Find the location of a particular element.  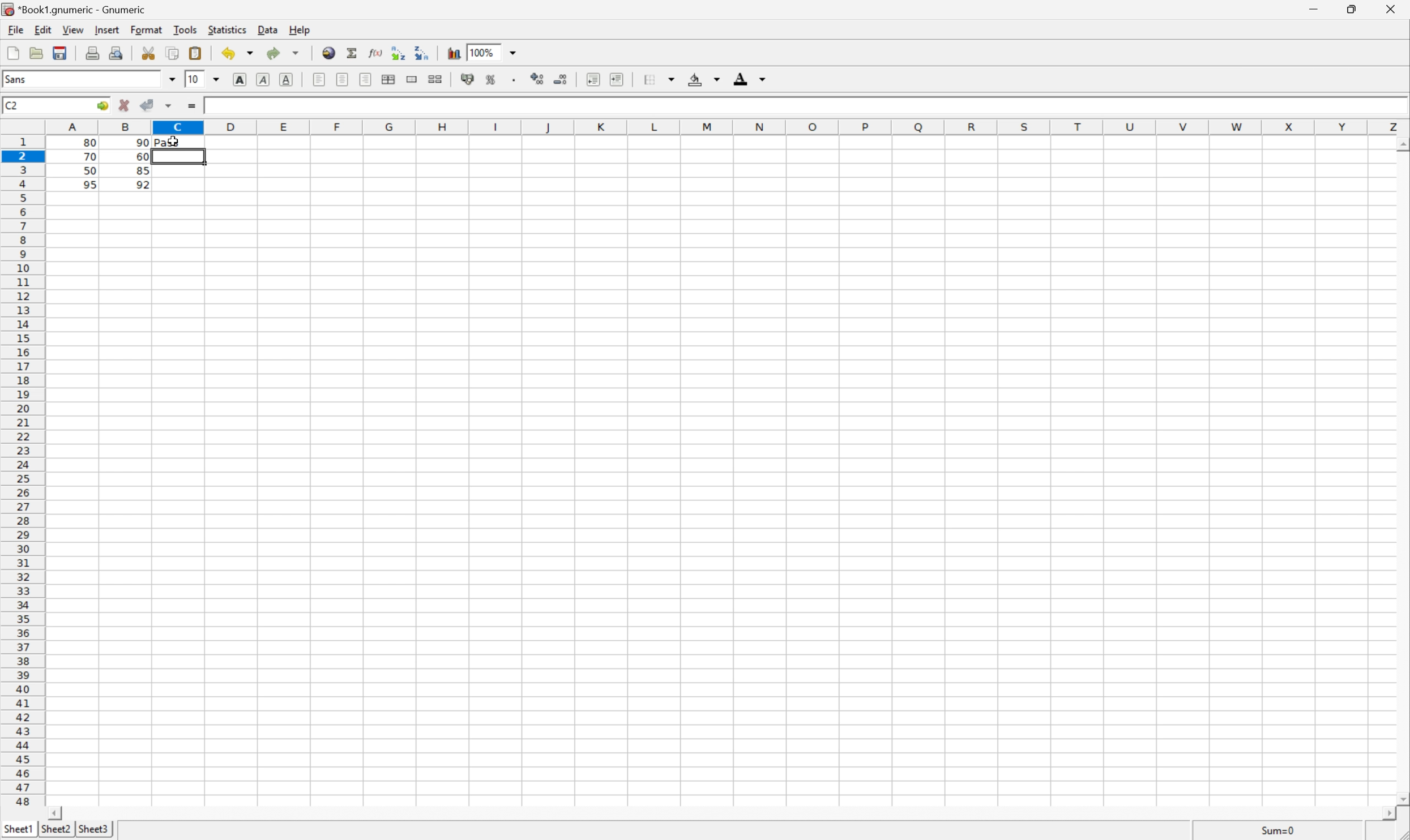

Enter formula is located at coordinates (191, 106).